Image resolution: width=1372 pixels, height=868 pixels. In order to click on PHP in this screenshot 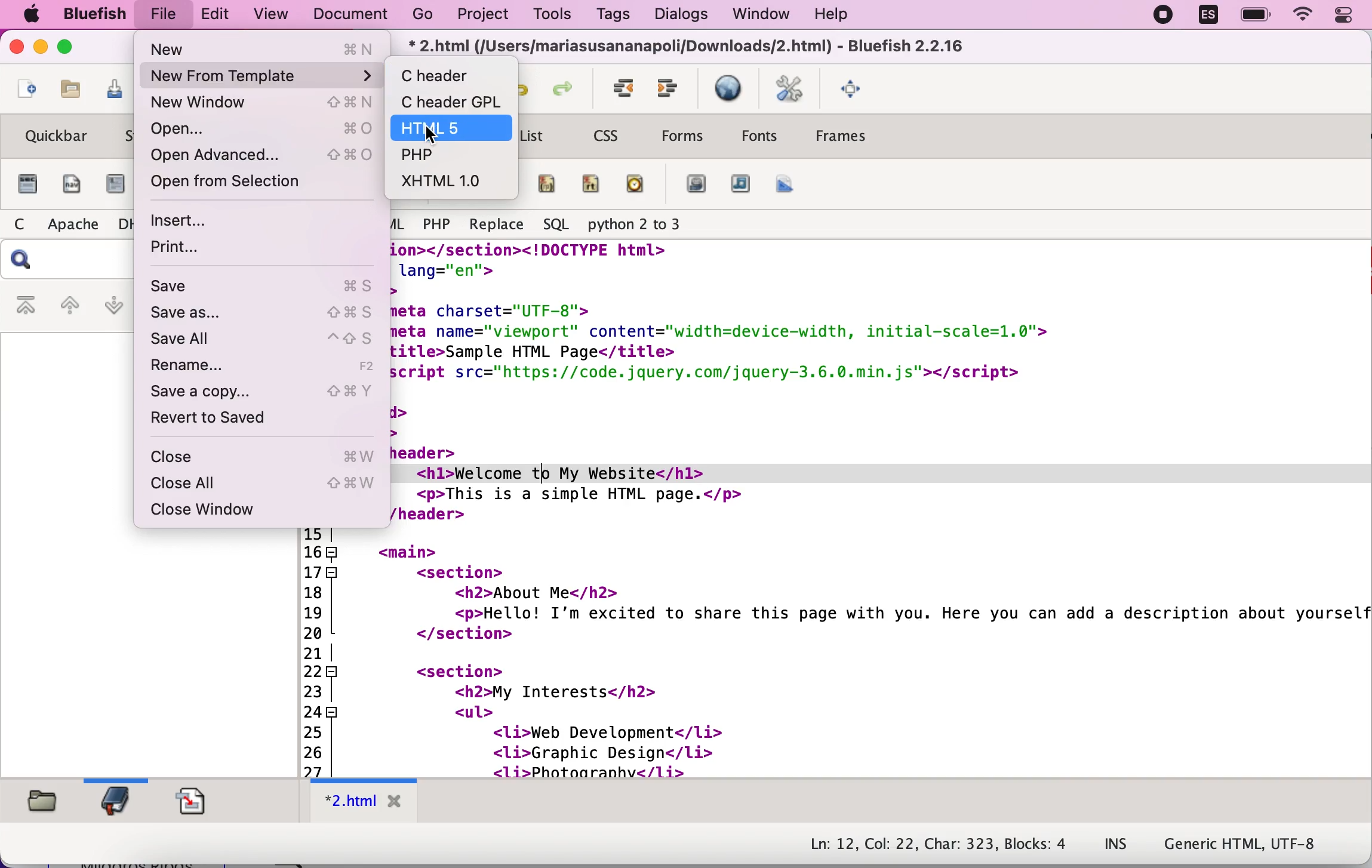, I will do `click(438, 224)`.